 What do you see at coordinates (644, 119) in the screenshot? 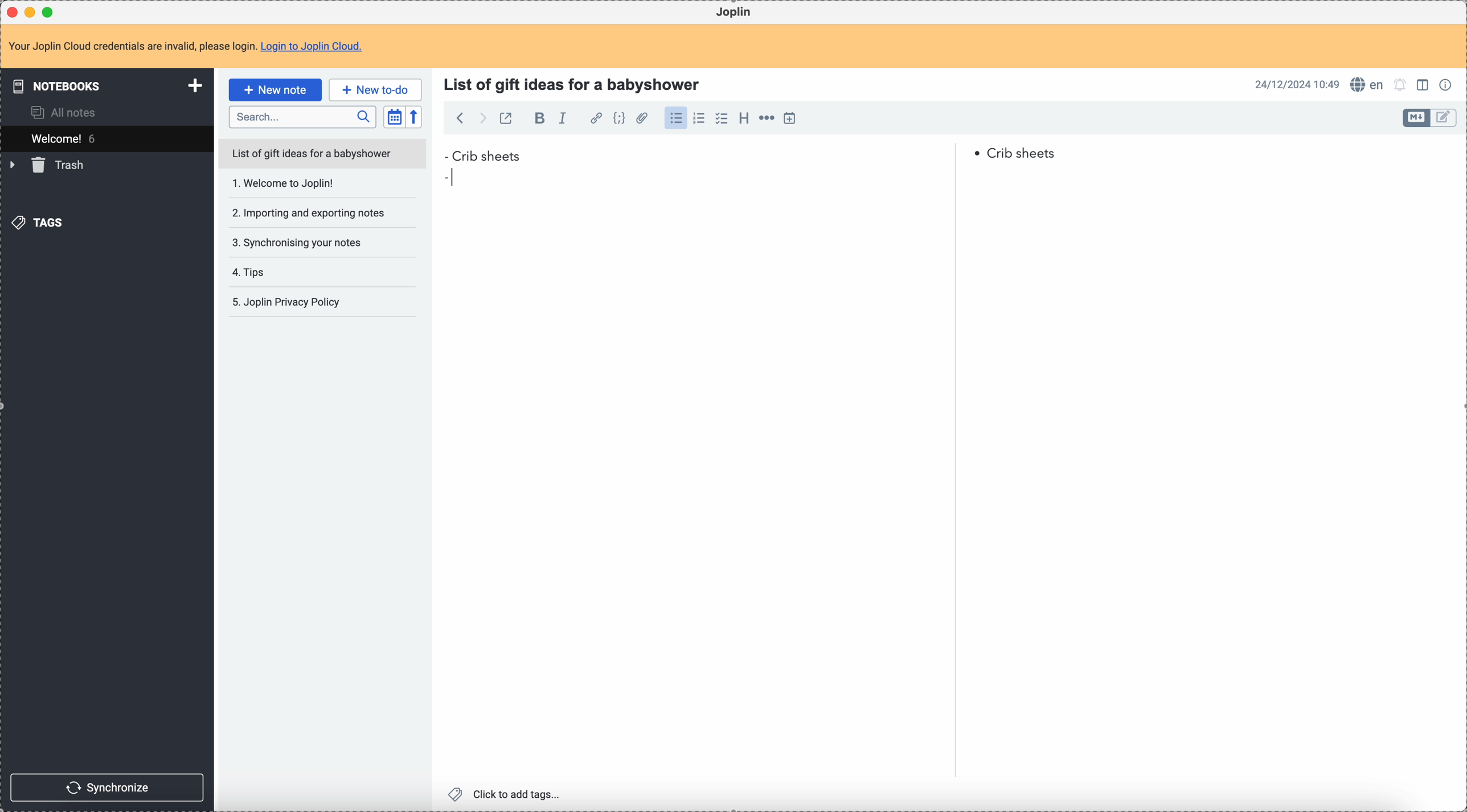
I see `attach file` at bounding box center [644, 119].